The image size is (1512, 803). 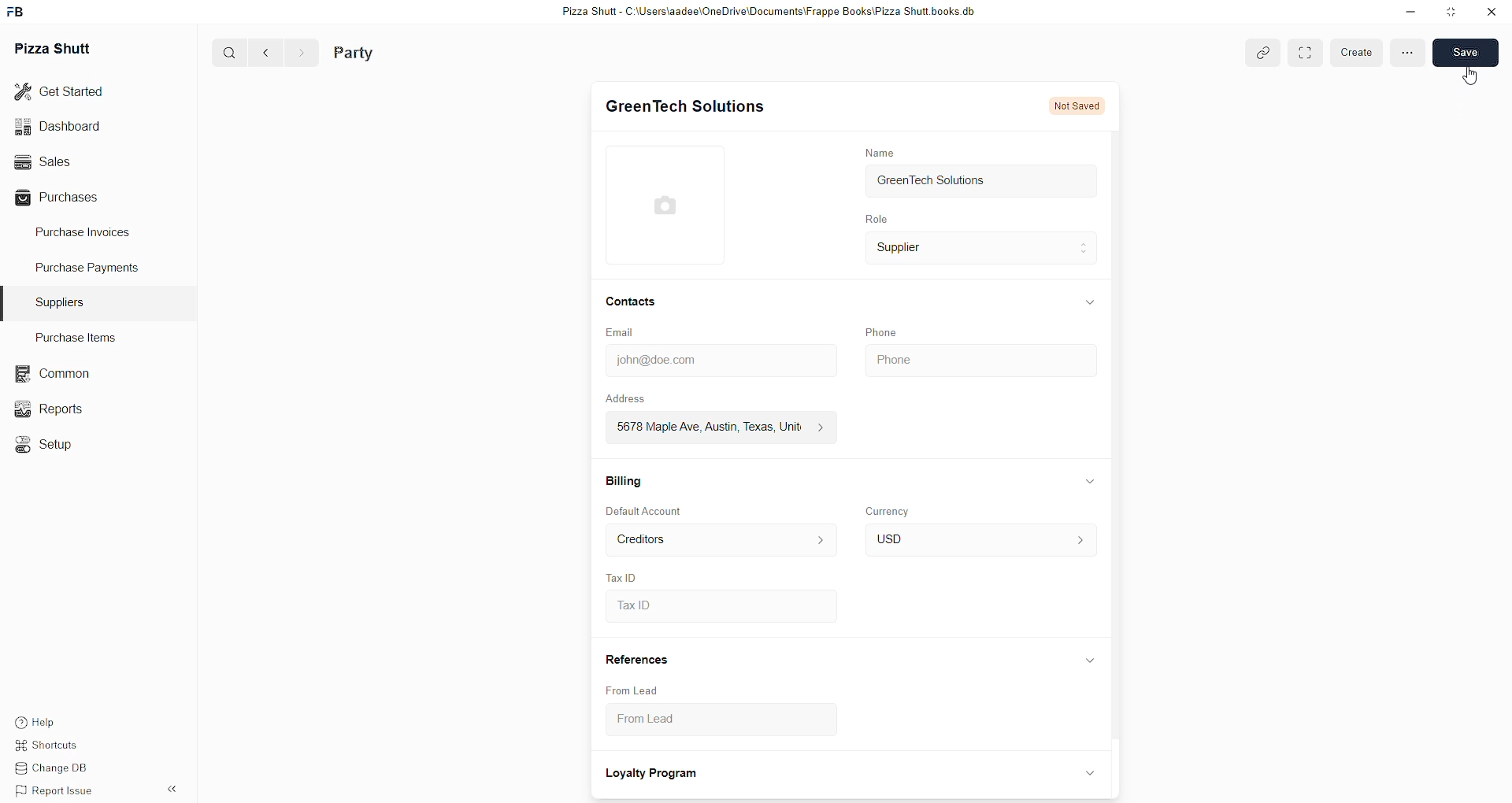 I want to click on Purchase Invoices, so click(x=89, y=235).